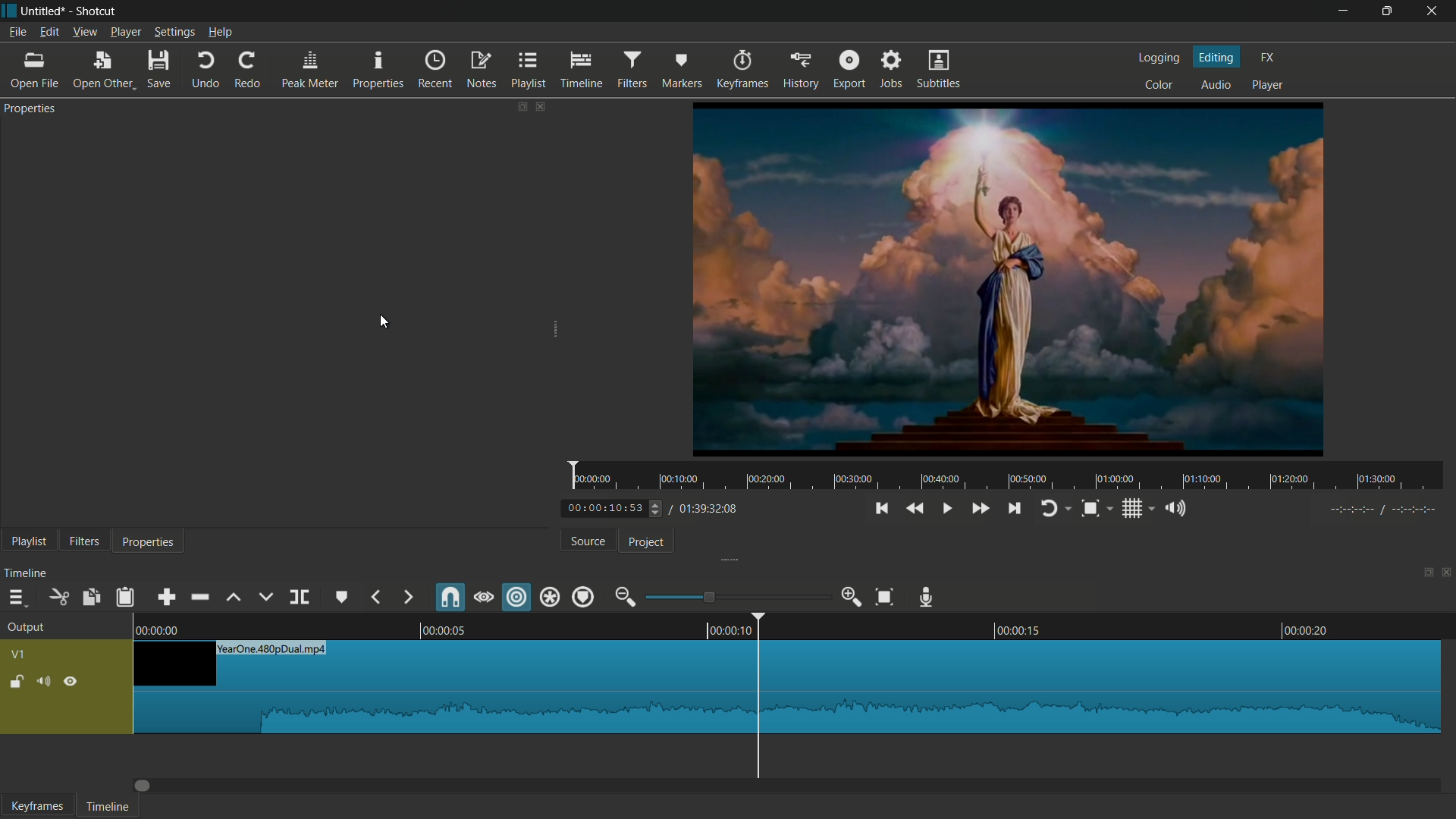 This screenshot has width=1456, height=819. Describe the element at coordinates (1008, 478) in the screenshot. I see `time` at that location.